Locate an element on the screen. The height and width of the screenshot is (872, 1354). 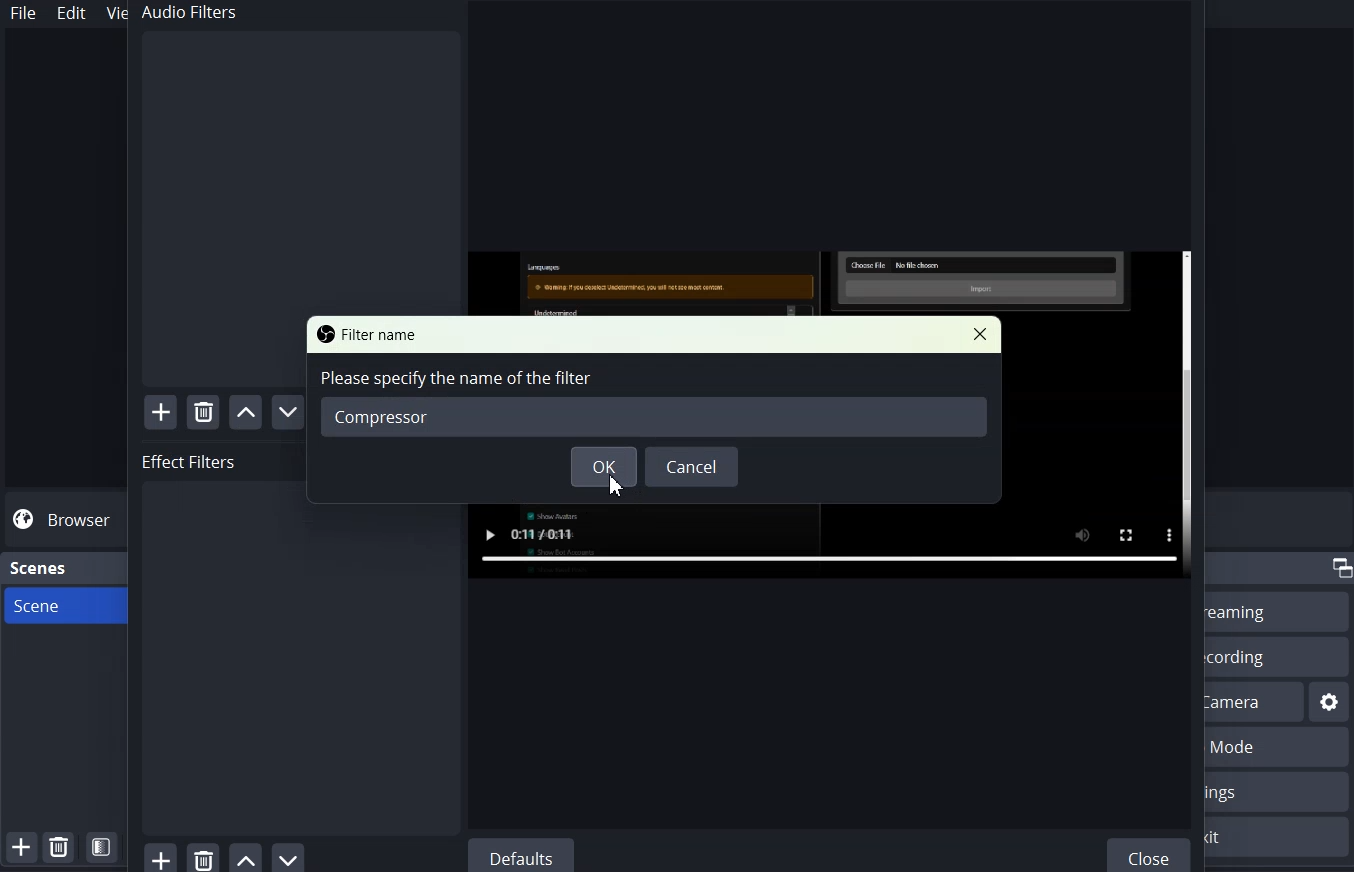
Remove Filter is located at coordinates (203, 856).